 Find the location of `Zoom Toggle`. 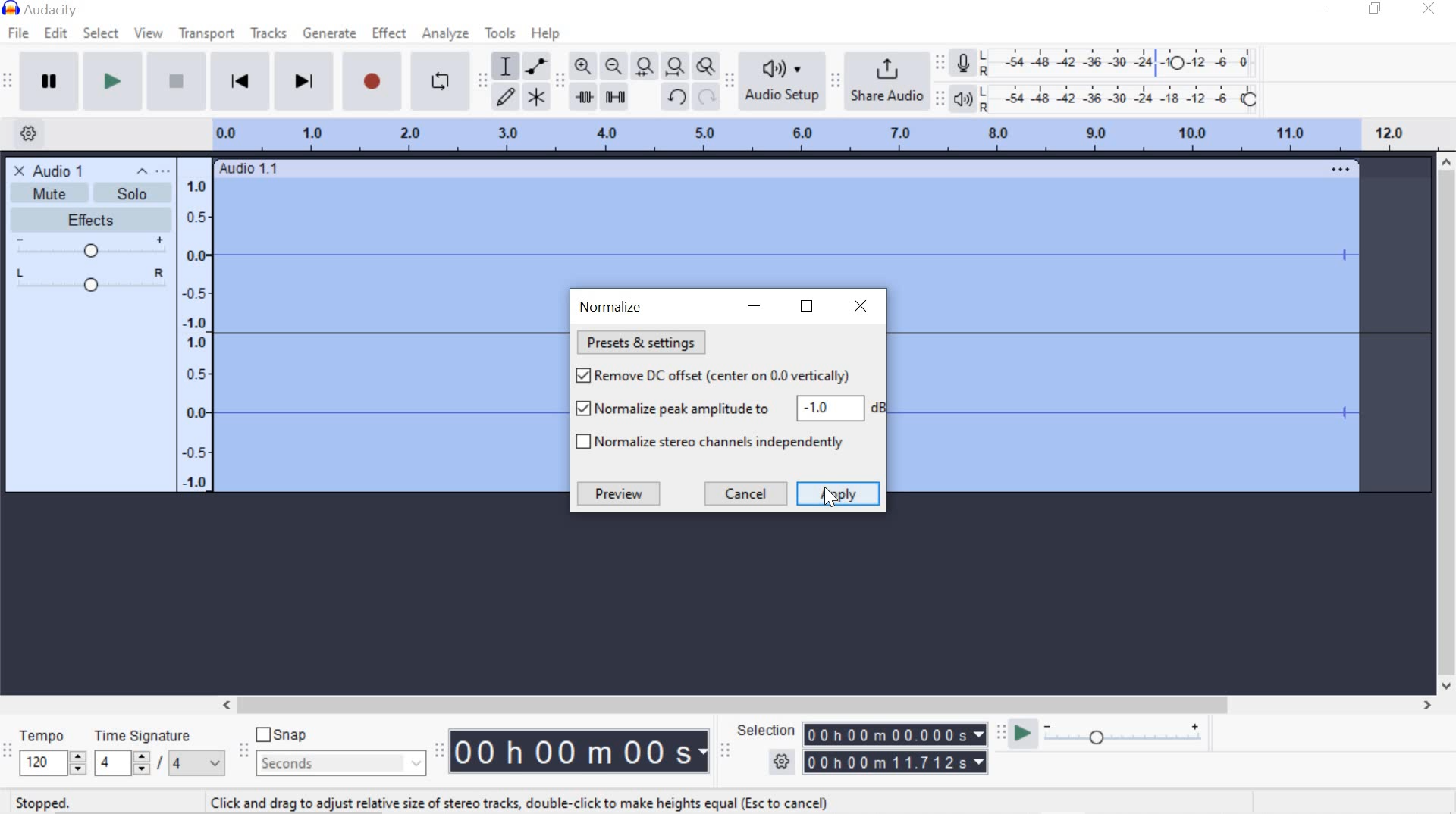

Zoom Toggle is located at coordinates (707, 68).